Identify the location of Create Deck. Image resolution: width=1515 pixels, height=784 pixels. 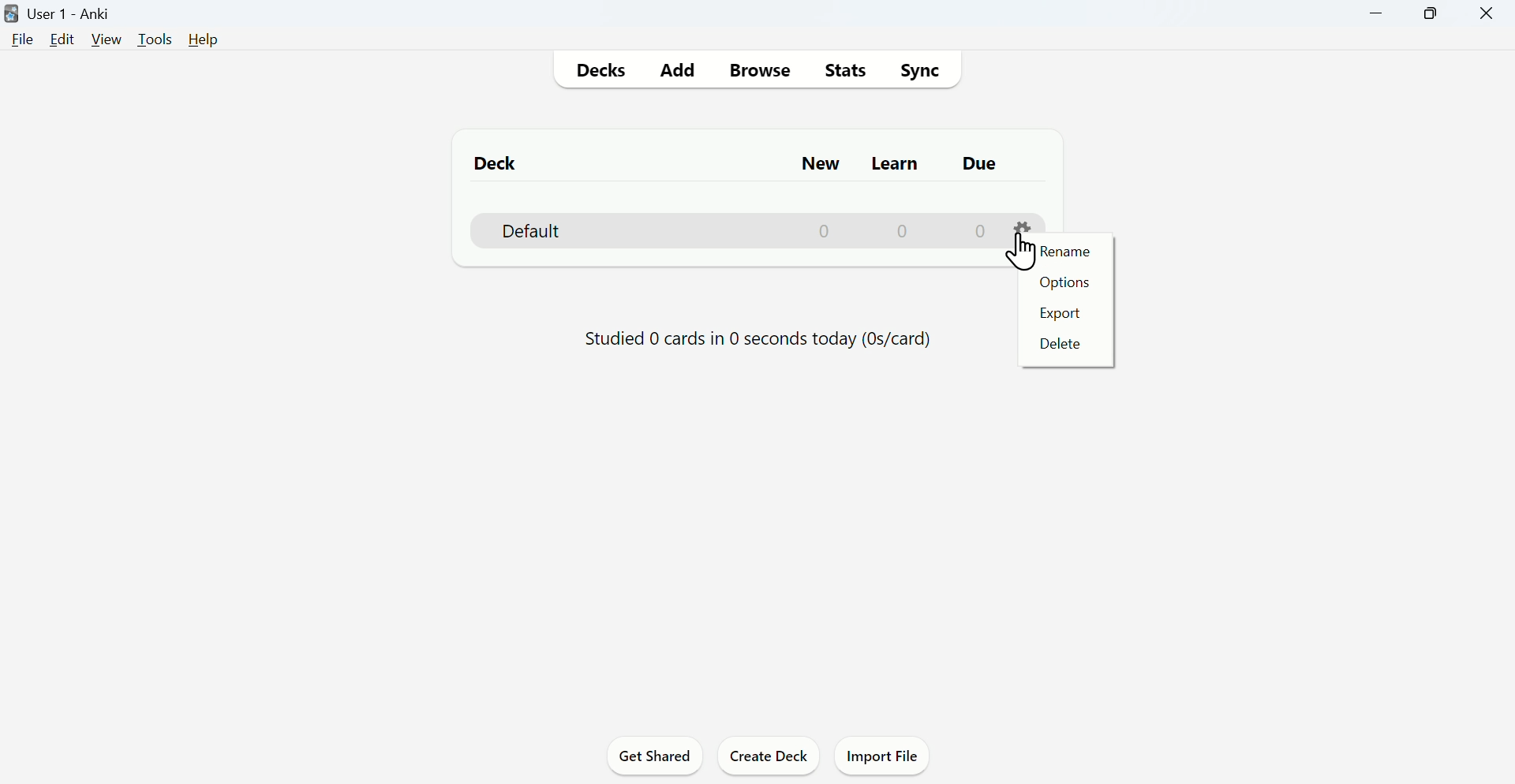
(770, 754).